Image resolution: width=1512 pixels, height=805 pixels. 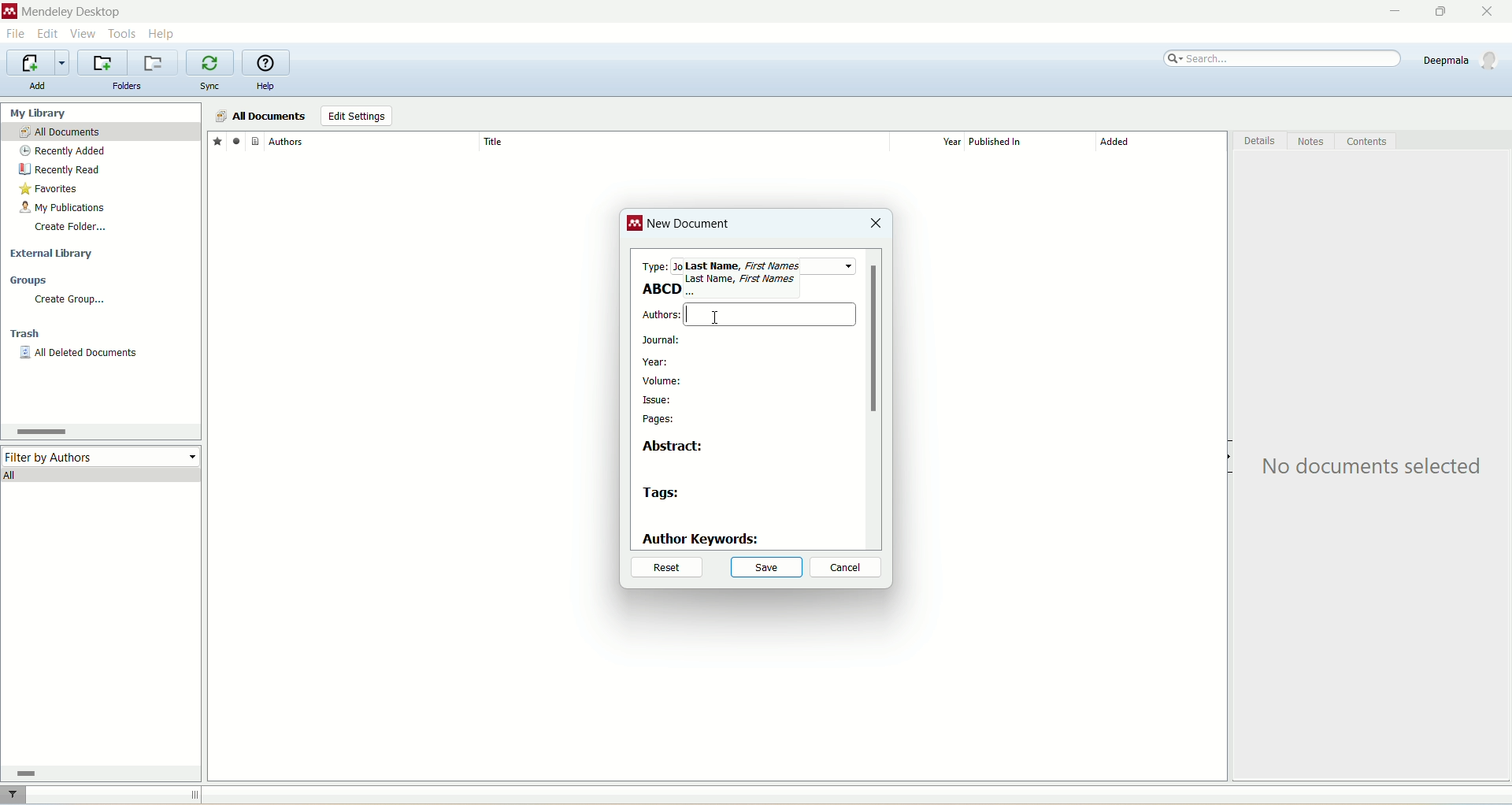 What do you see at coordinates (69, 13) in the screenshot?
I see `mendeley desktop` at bounding box center [69, 13].